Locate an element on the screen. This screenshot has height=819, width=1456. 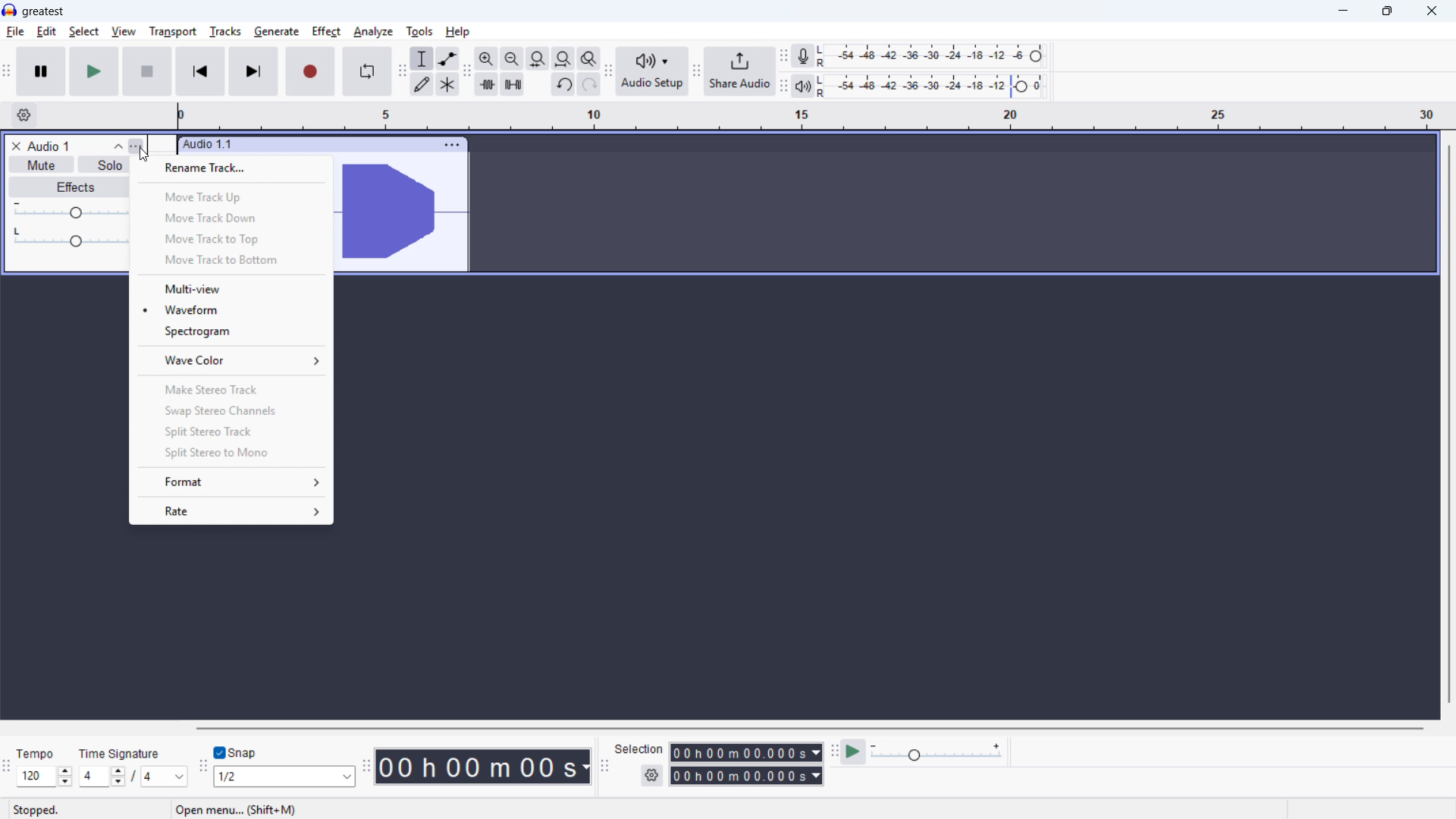
Multi - view  is located at coordinates (232, 289).